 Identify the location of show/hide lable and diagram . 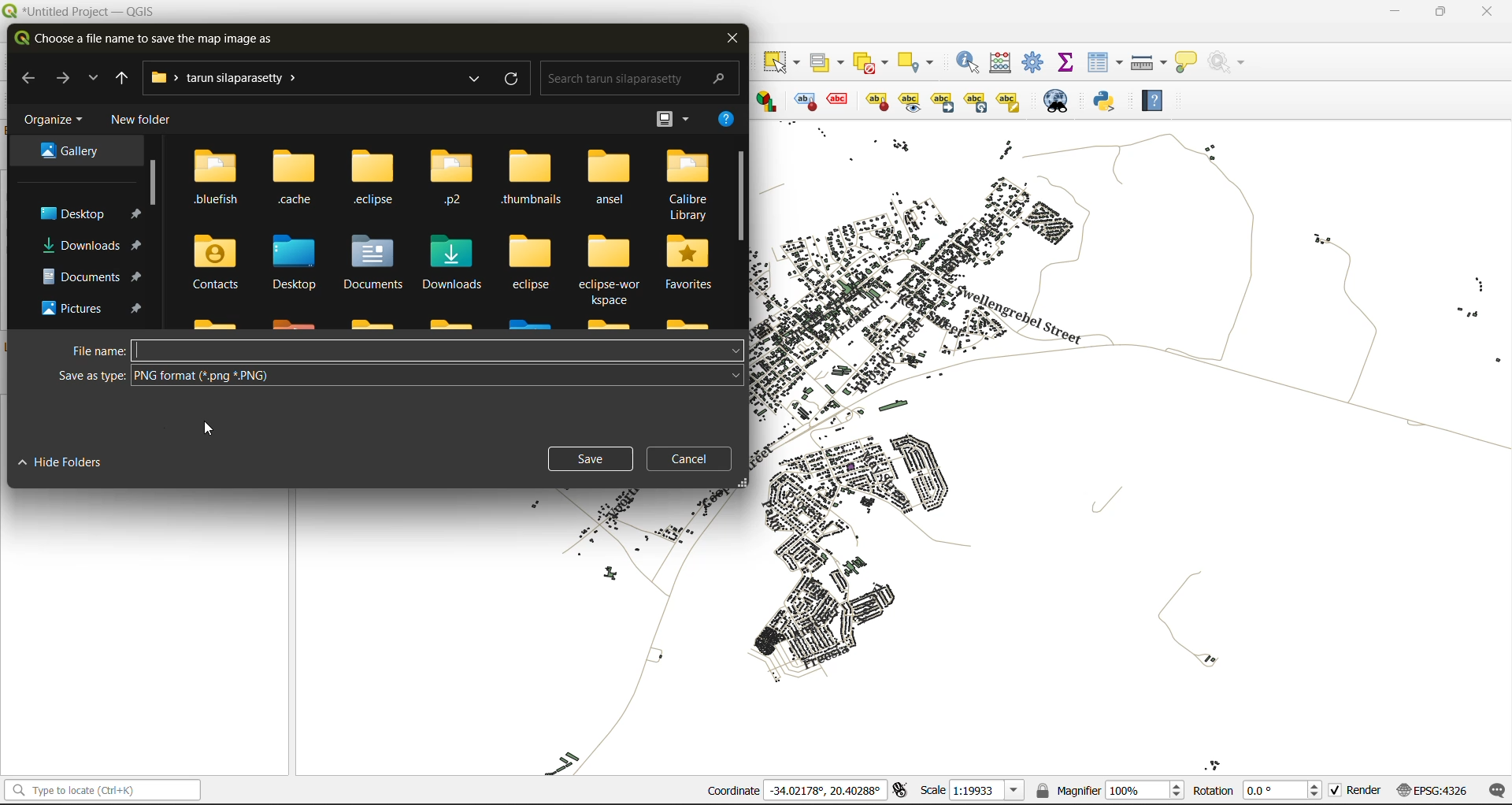
(876, 100).